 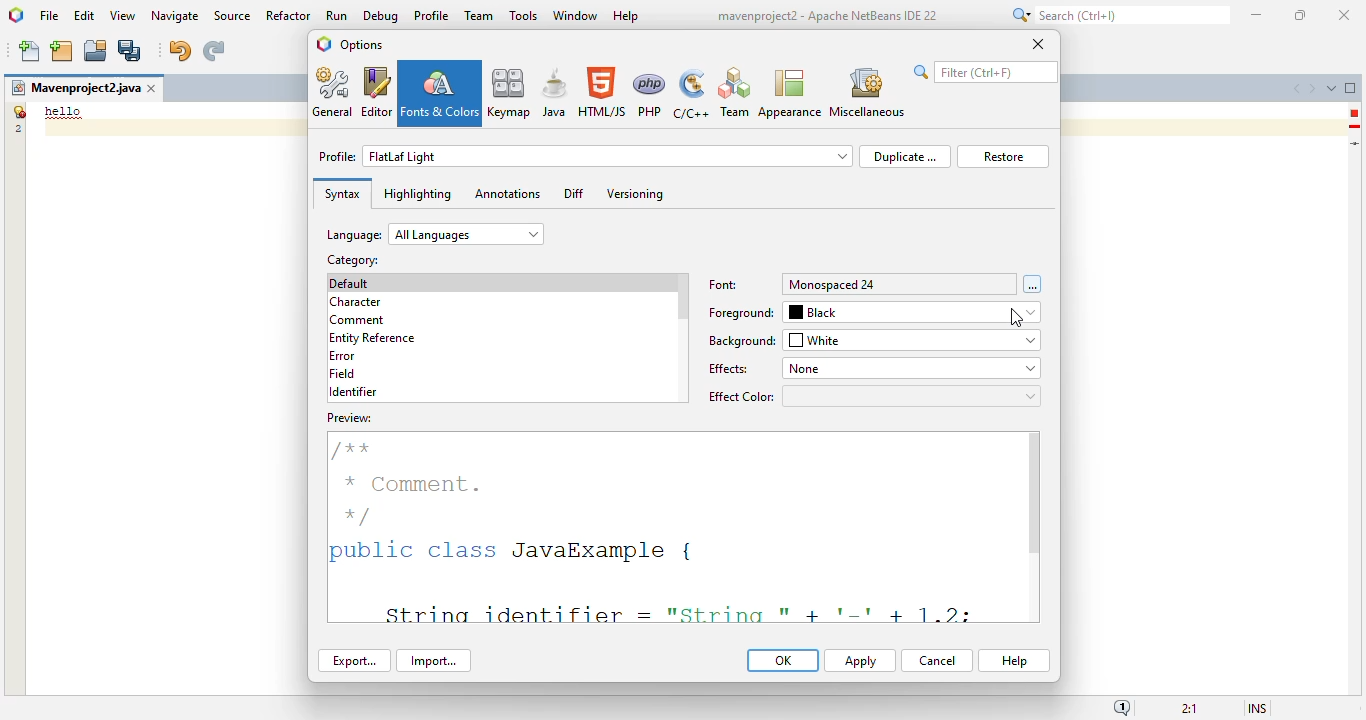 I want to click on logo, so click(x=17, y=15).